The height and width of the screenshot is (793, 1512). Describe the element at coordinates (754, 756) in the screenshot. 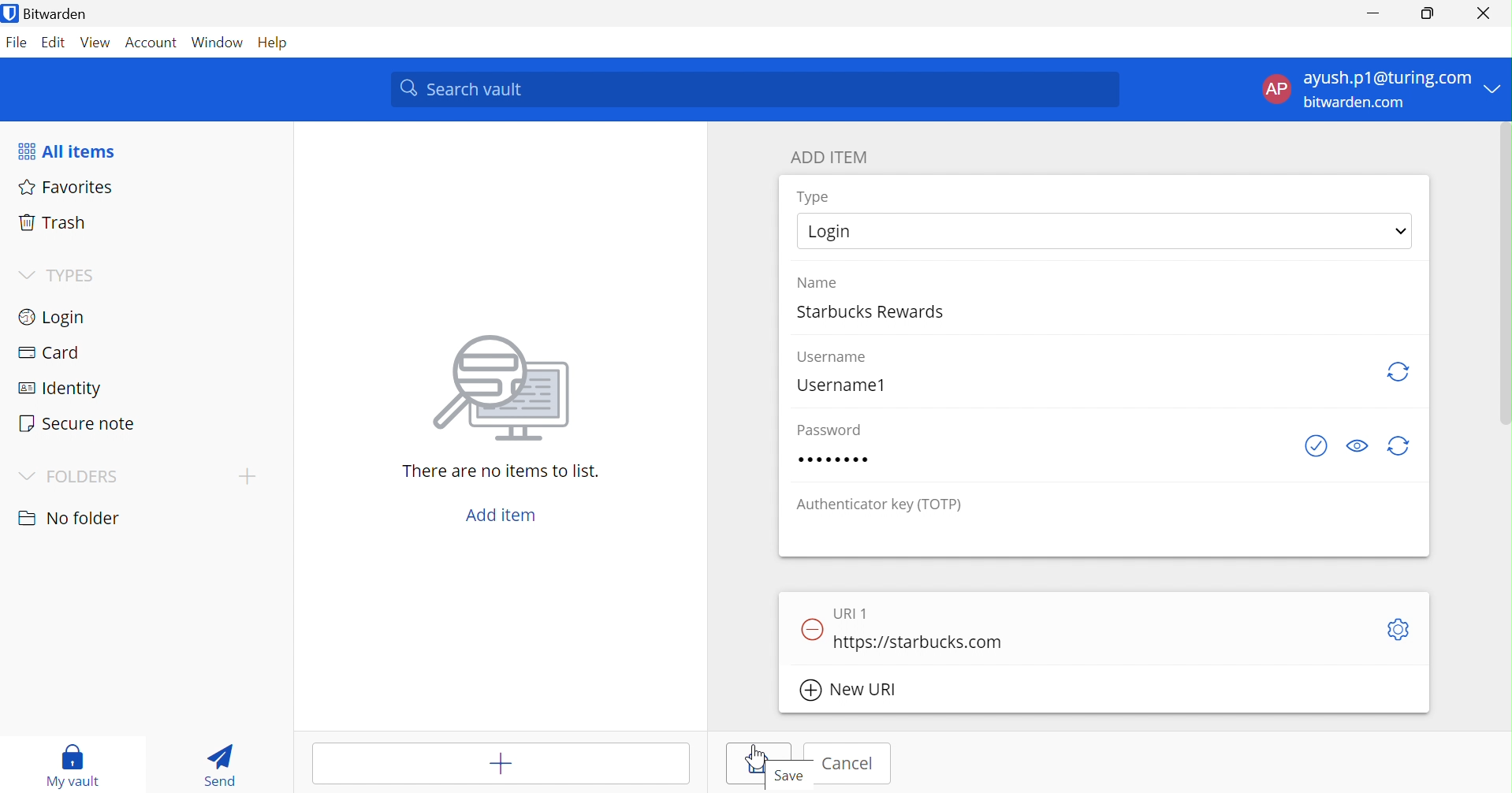

I see `Cursor` at that location.